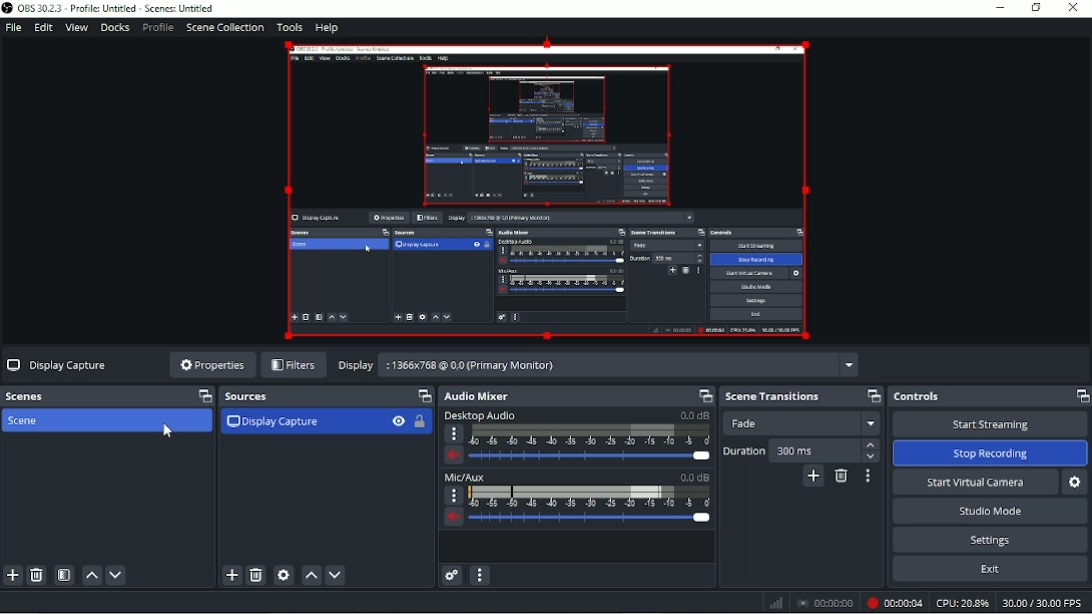 This screenshot has width=1092, height=614. I want to click on Controls, so click(919, 397).